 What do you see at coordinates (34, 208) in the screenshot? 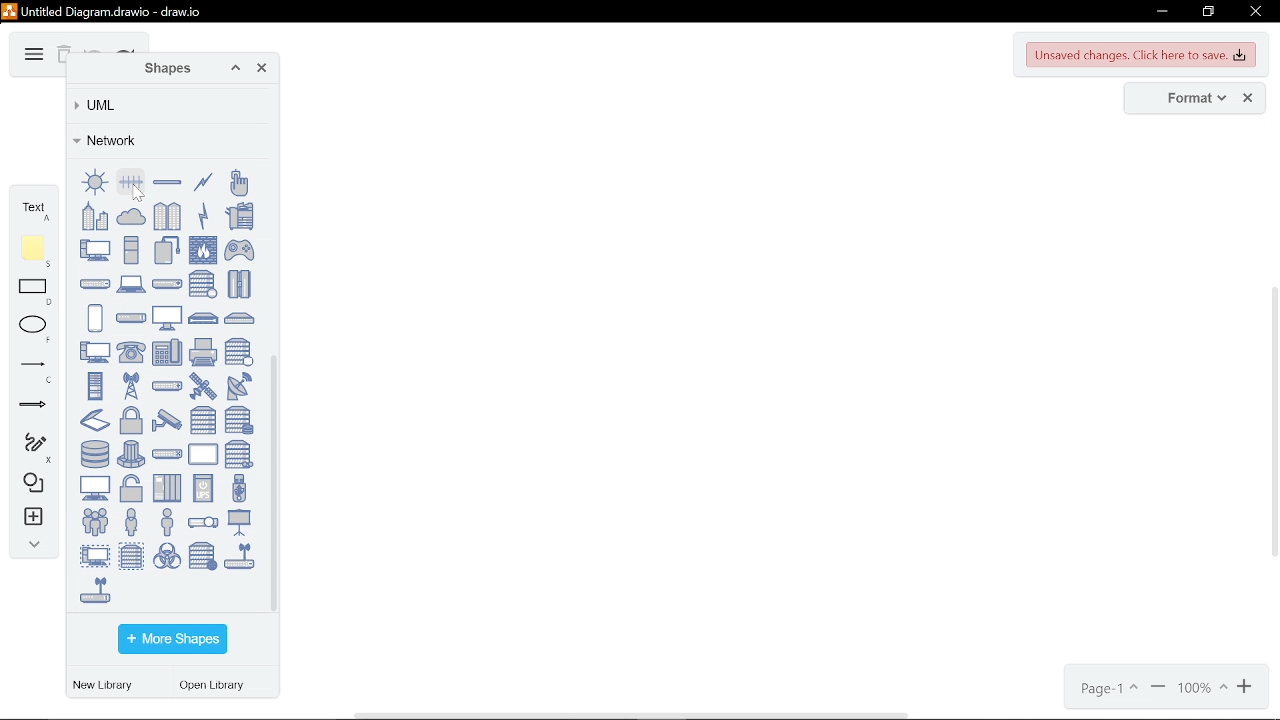
I see `text` at bounding box center [34, 208].